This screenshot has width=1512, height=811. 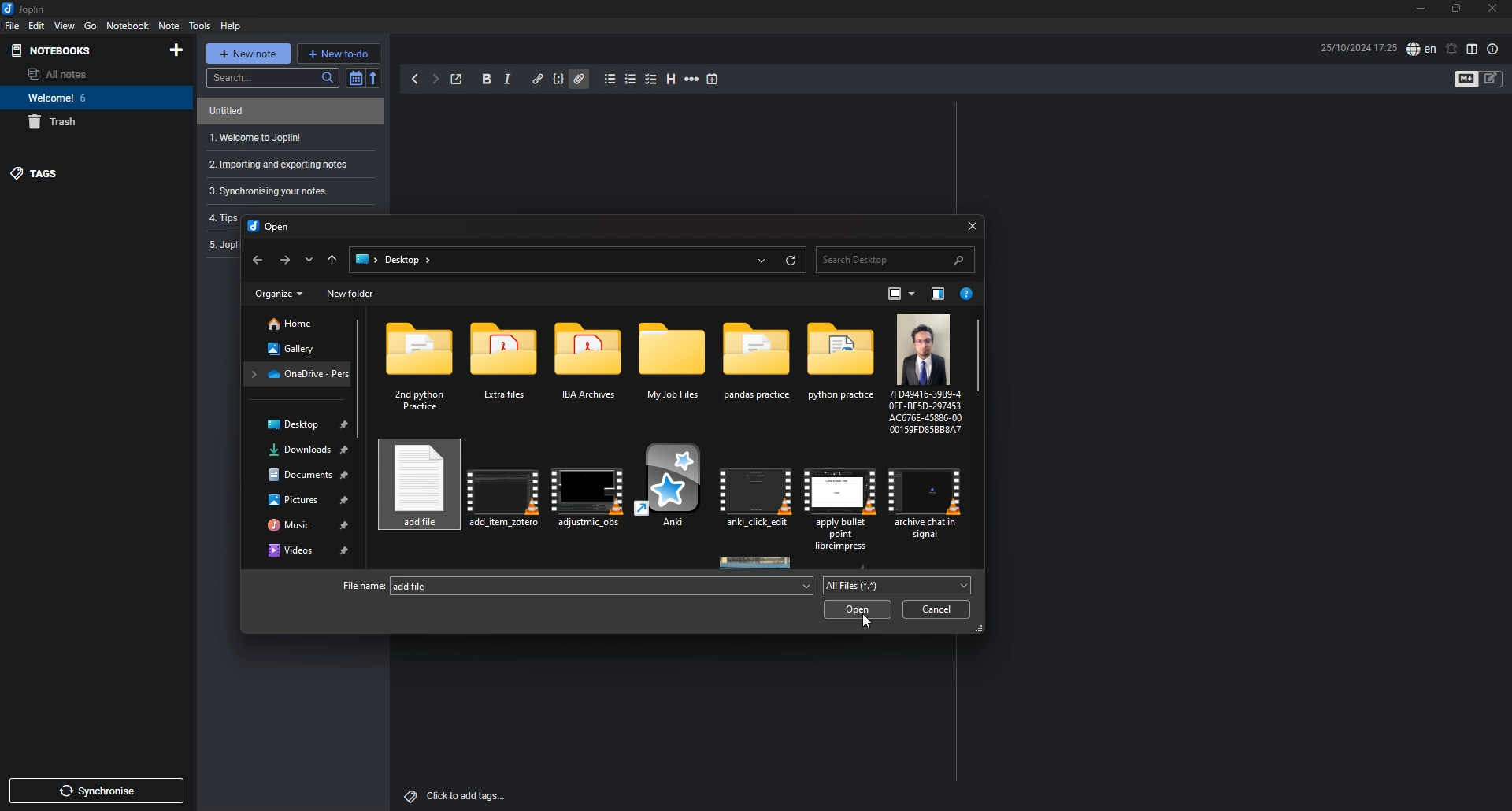 I want to click on minimize, so click(x=1421, y=9).